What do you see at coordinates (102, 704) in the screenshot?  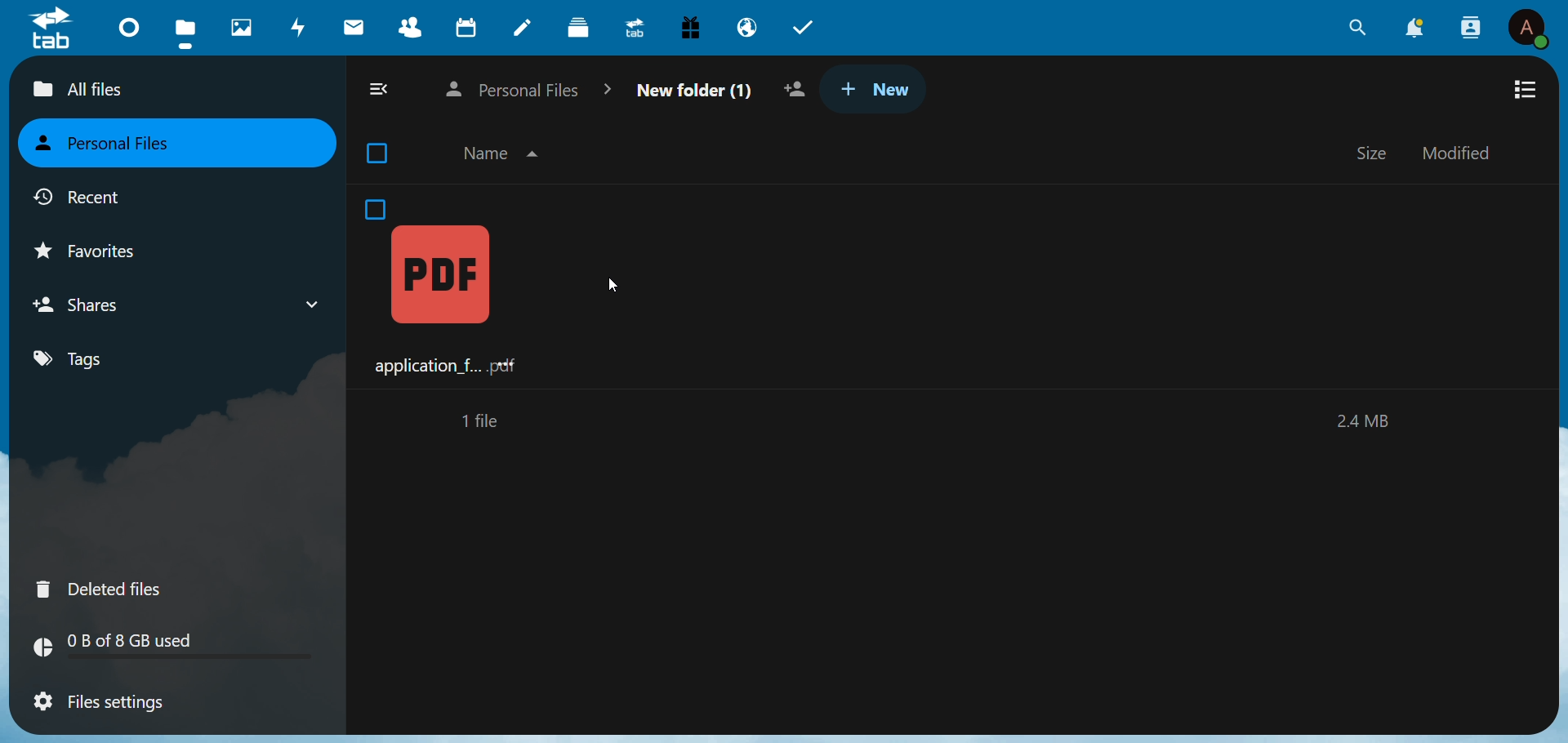 I see `file setting` at bounding box center [102, 704].